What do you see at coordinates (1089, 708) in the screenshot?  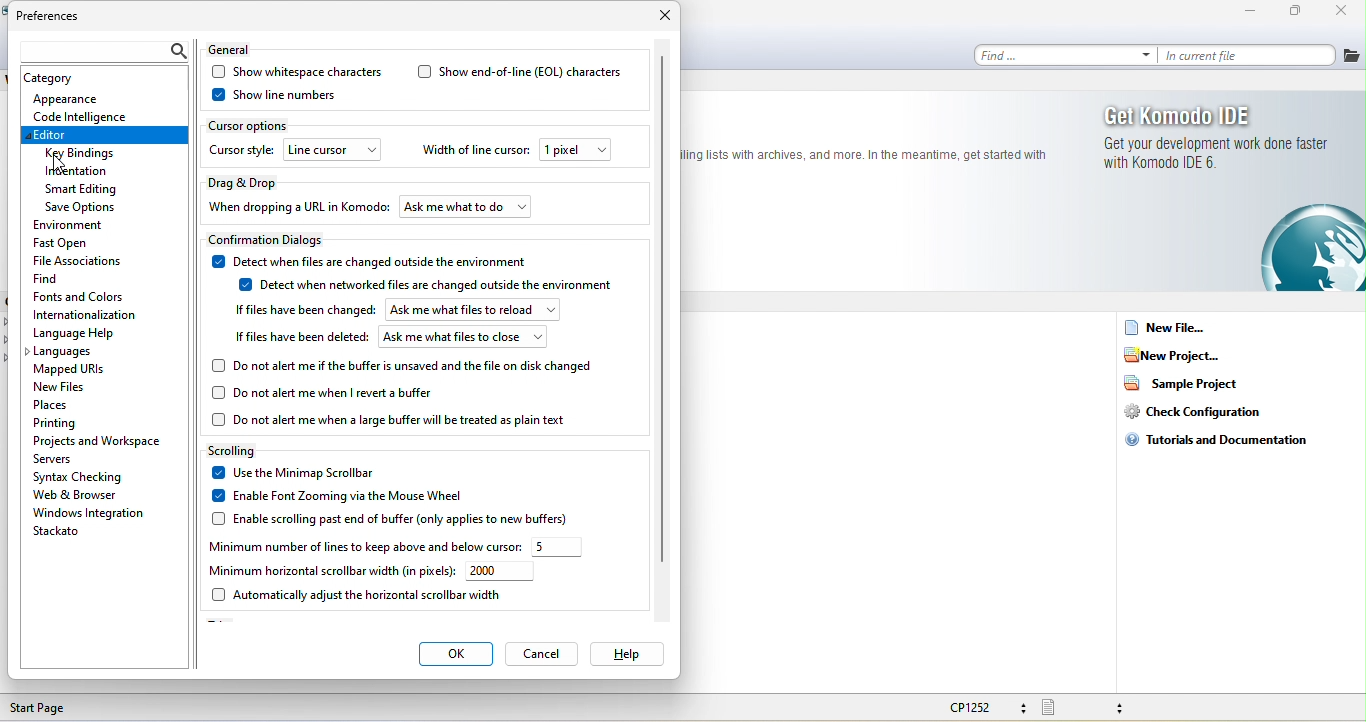 I see `file type` at bounding box center [1089, 708].